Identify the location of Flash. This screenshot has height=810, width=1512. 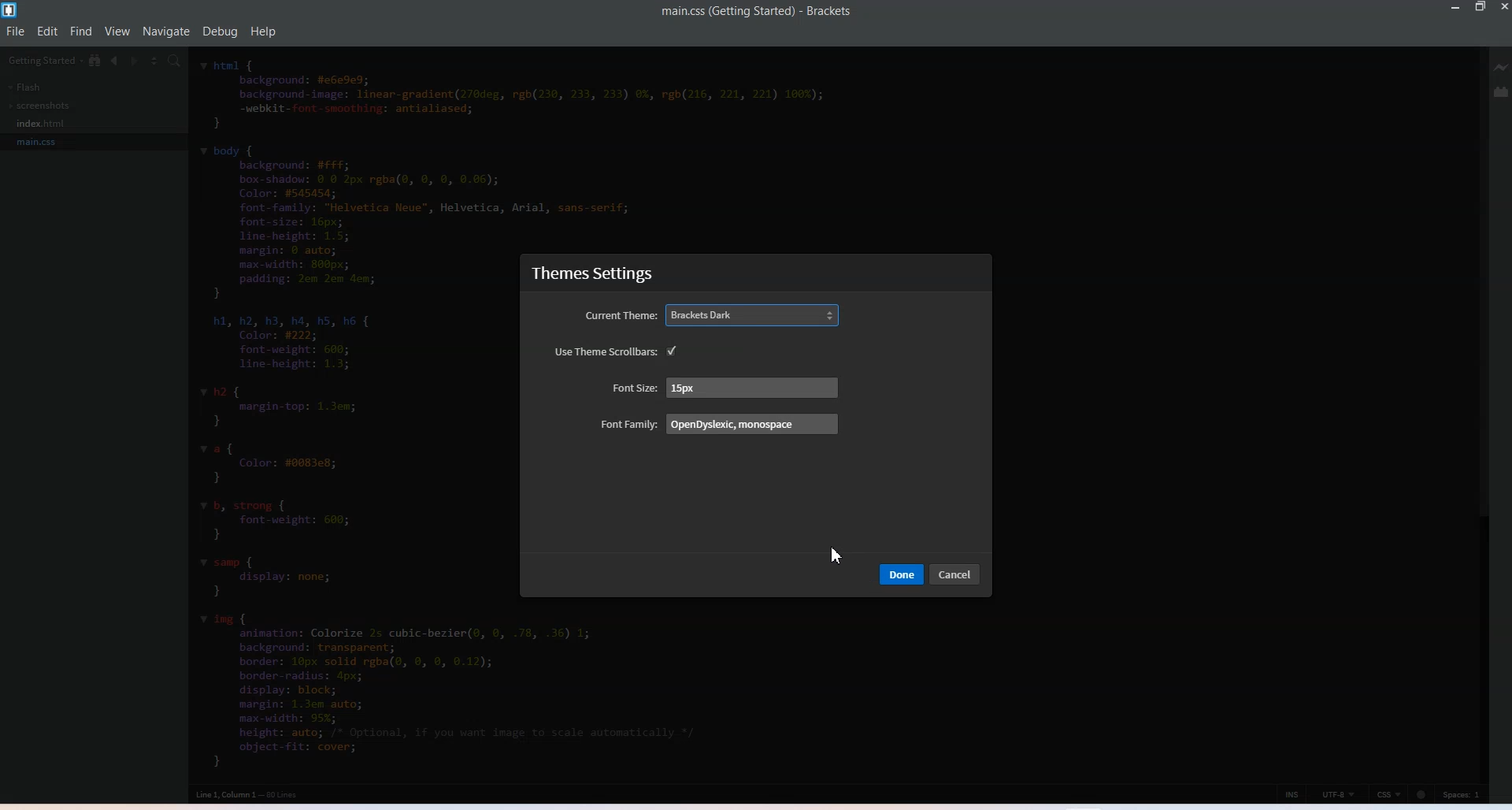
(24, 87).